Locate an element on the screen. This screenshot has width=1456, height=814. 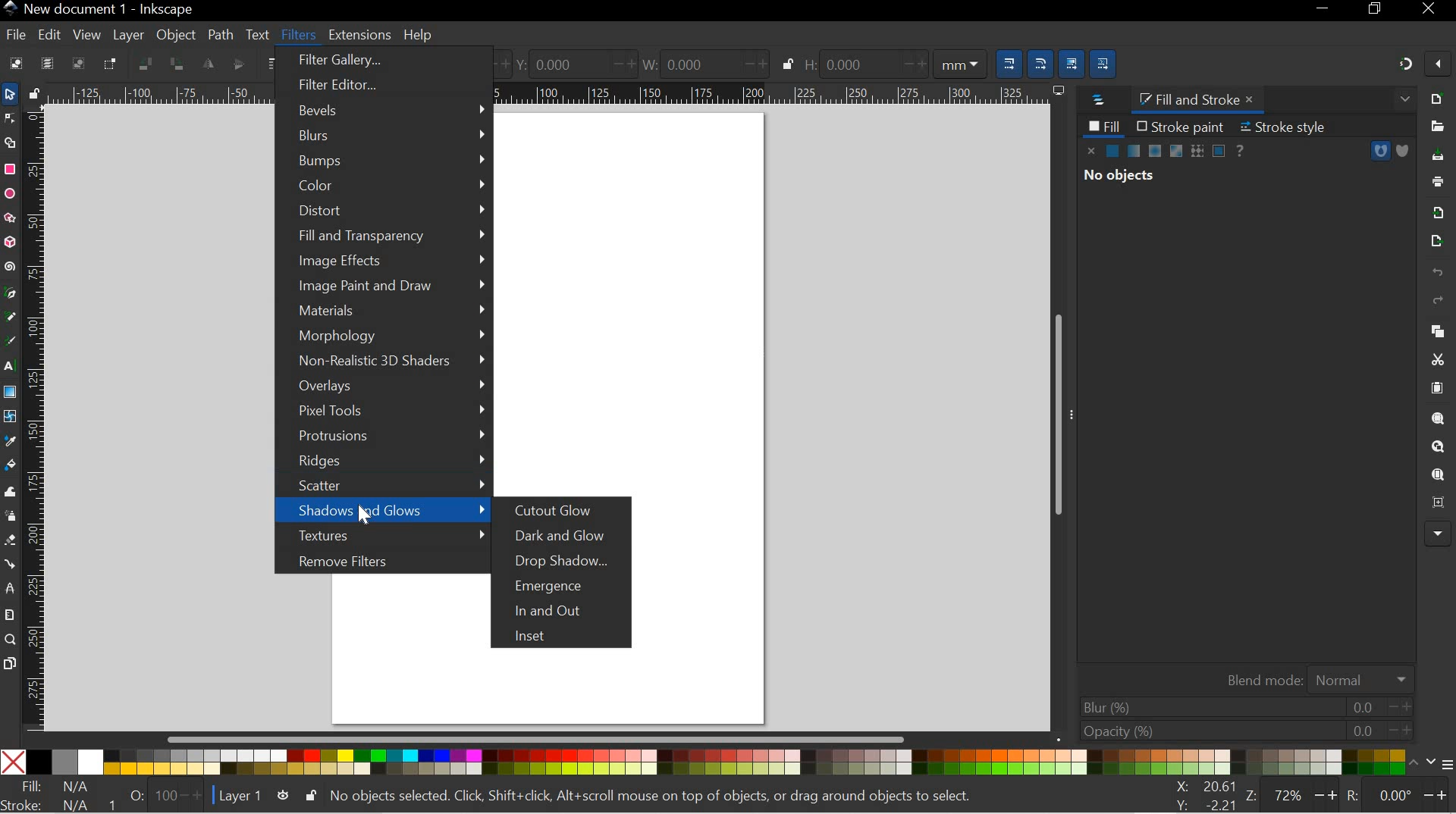
RAISE SELECTION TO TOP is located at coordinates (274, 64).